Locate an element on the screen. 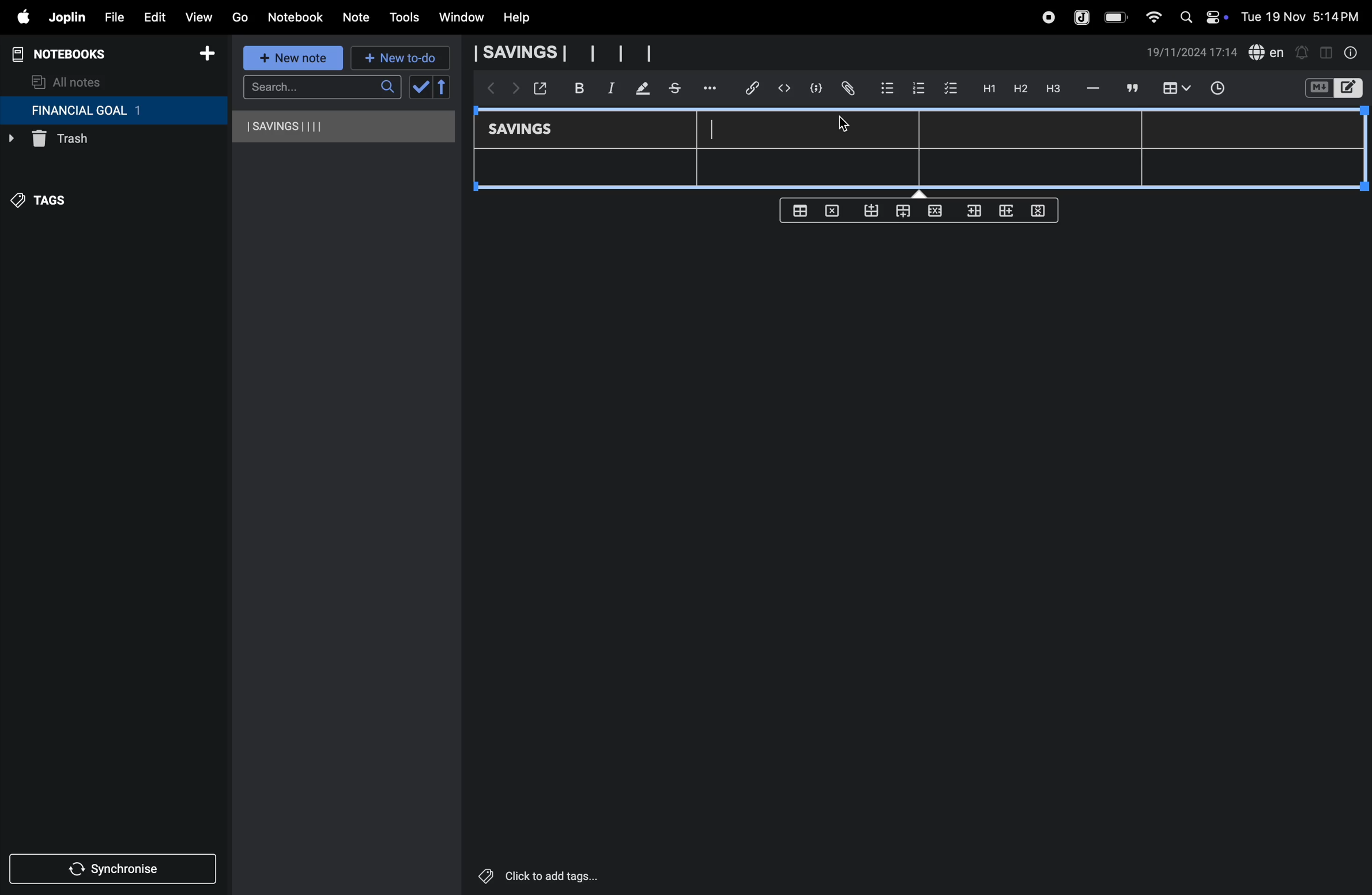  check is located at coordinates (419, 88).